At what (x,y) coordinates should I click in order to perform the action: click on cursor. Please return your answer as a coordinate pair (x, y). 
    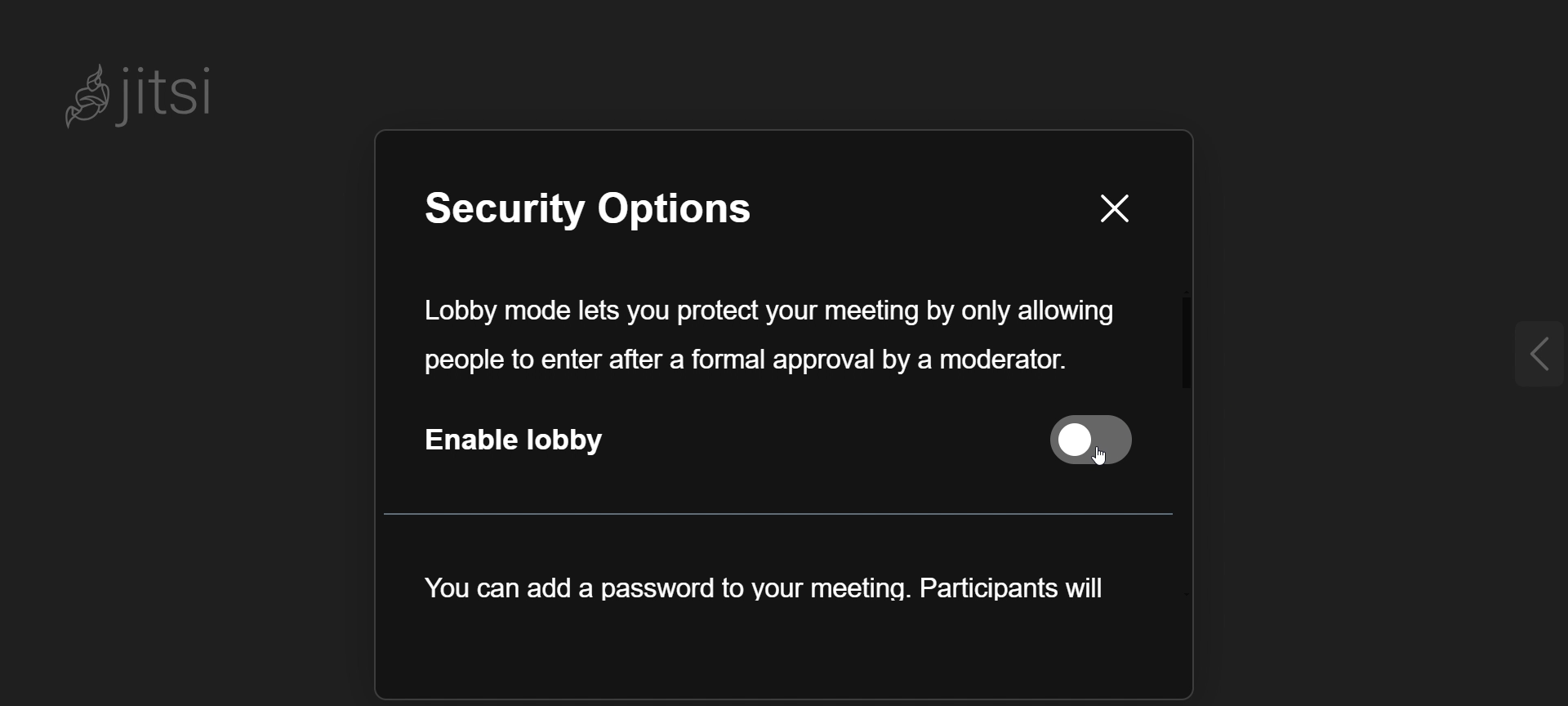
    Looking at the image, I should click on (1101, 474).